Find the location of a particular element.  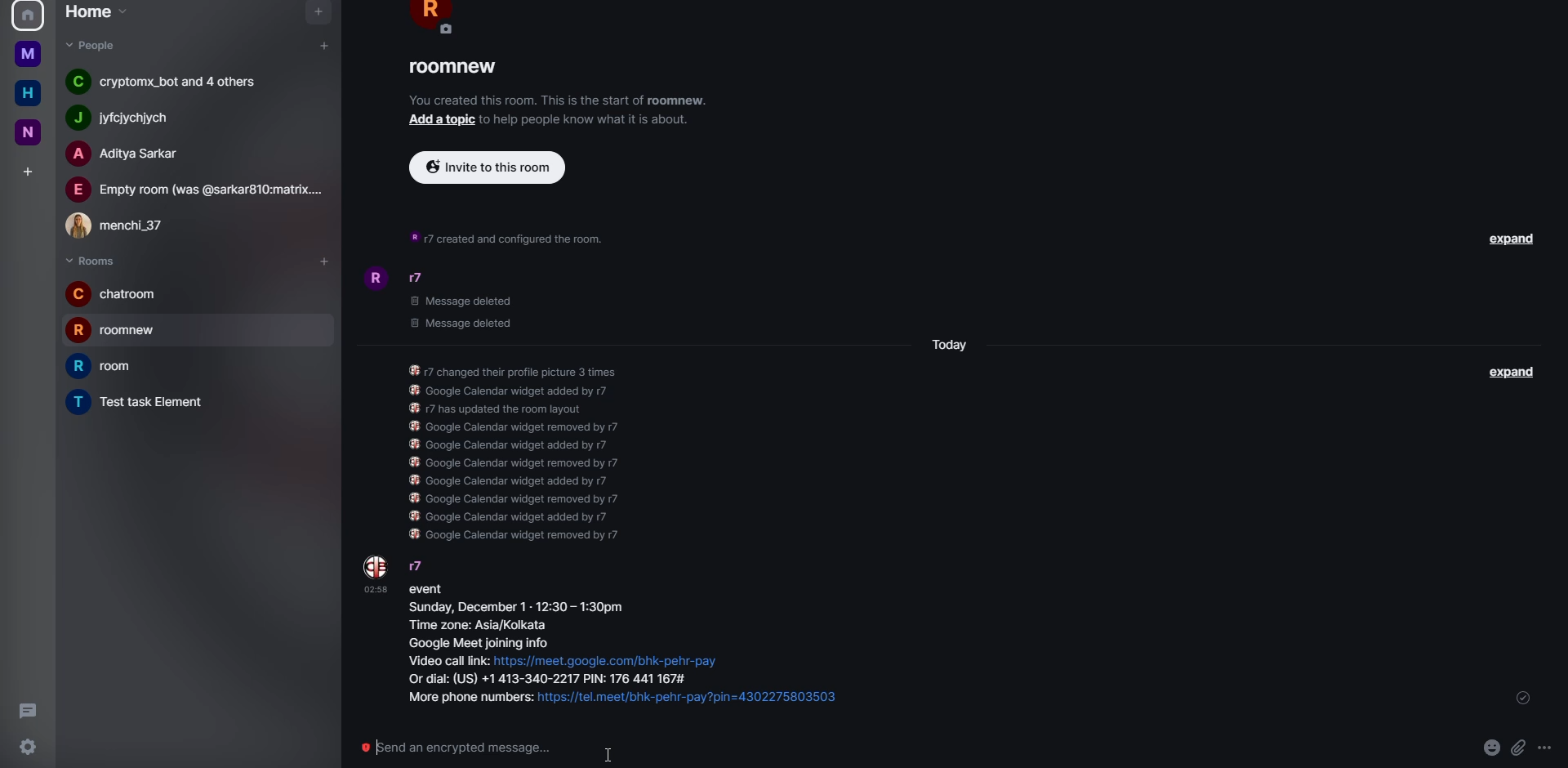

time is located at coordinates (376, 588).